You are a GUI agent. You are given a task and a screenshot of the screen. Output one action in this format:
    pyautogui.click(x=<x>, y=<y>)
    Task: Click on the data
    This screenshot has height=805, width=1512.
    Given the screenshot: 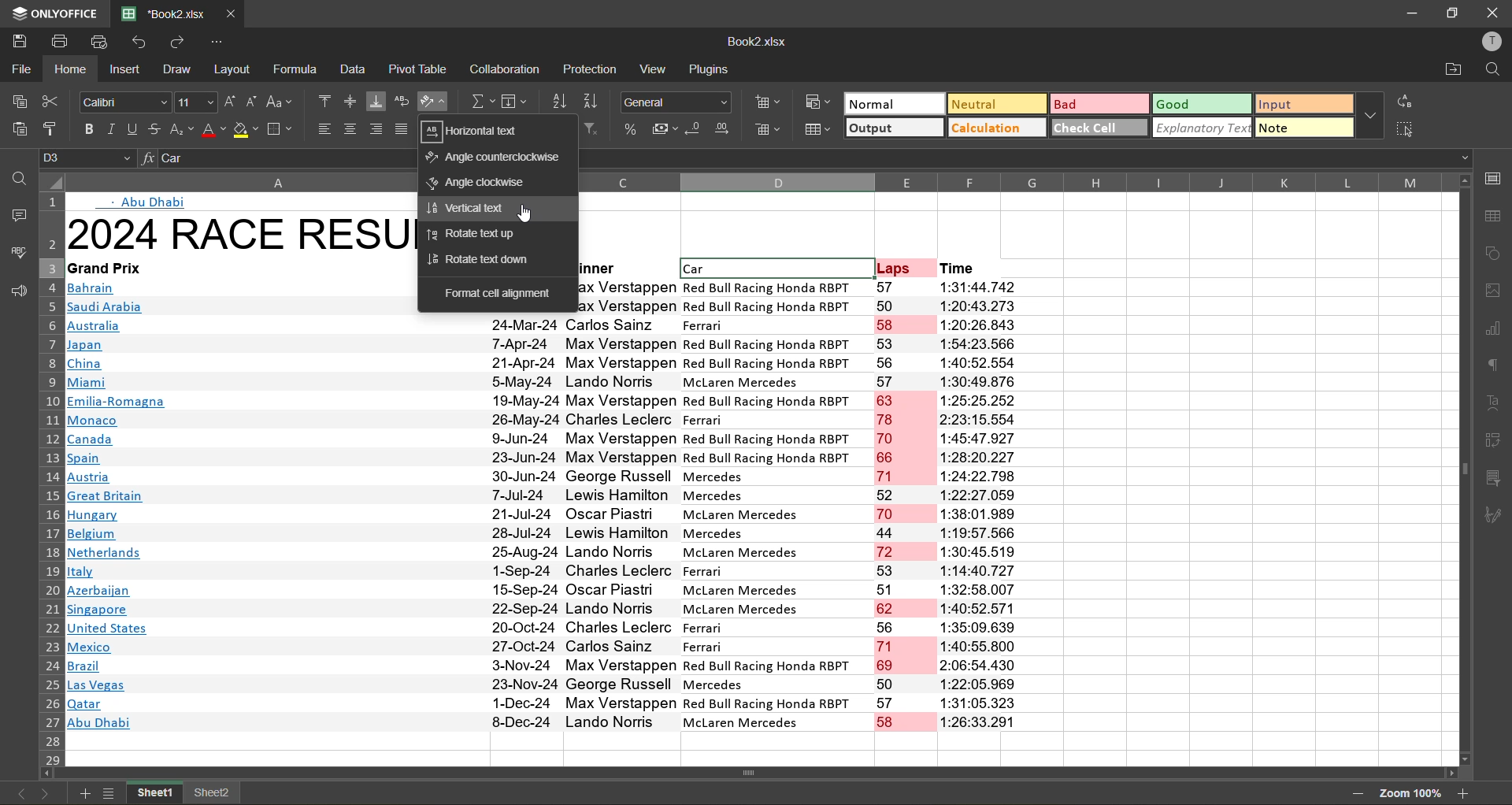 What is the action you would take?
    pyautogui.click(x=356, y=71)
    